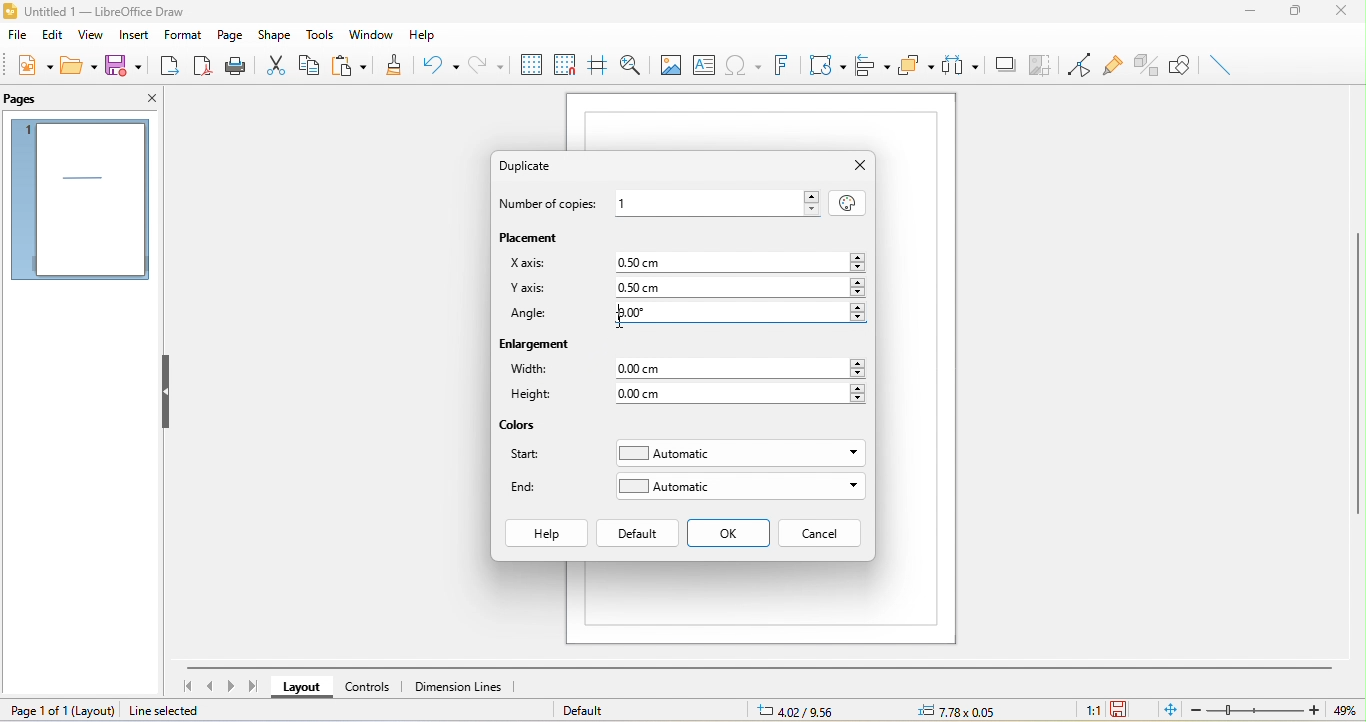  What do you see at coordinates (859, 166) in the screenshot?
I see `close` at bounding box center [859, 166].